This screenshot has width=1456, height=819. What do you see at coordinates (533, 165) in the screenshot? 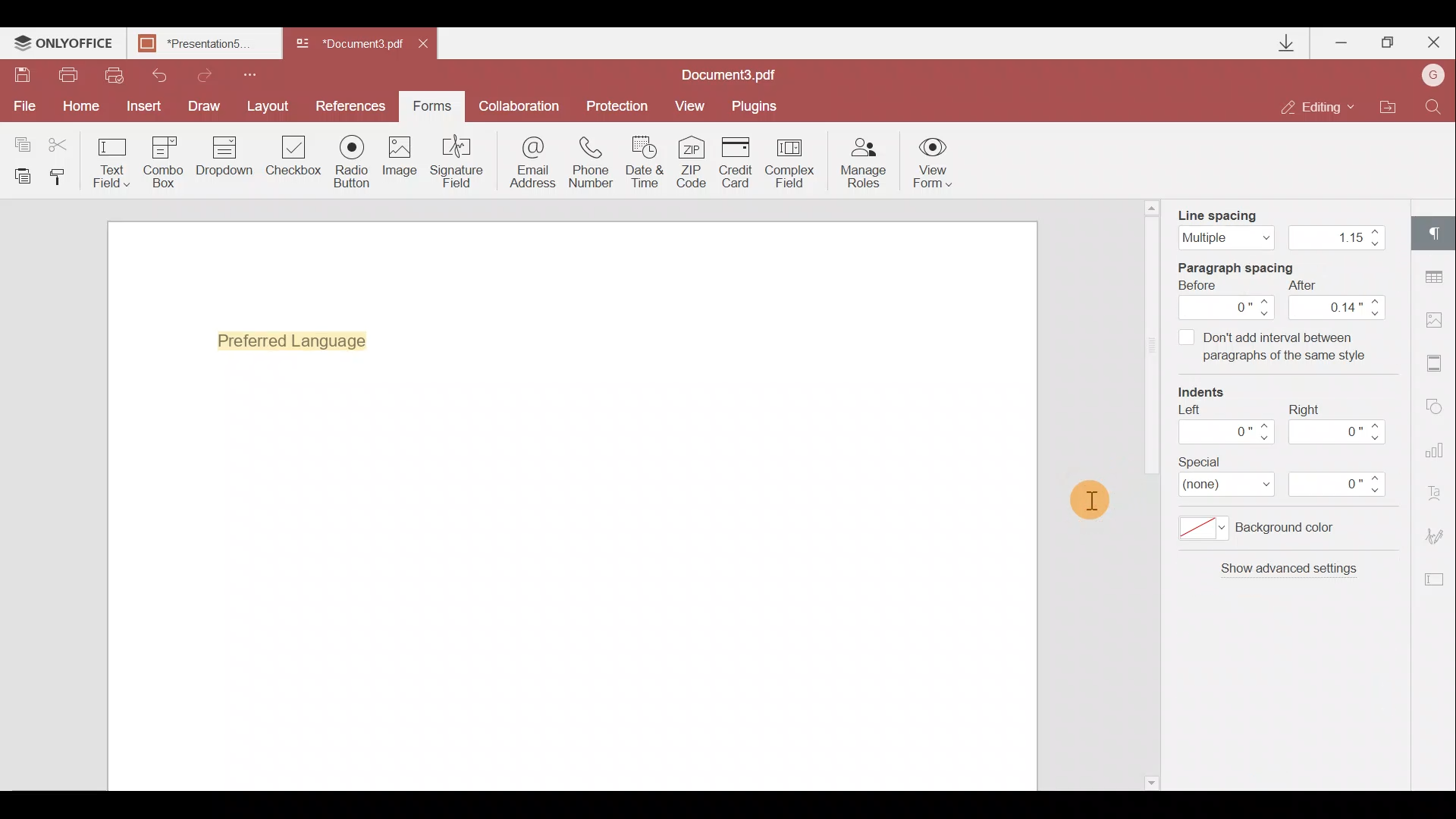
I see `Email address` at bounding box center [533, 165].